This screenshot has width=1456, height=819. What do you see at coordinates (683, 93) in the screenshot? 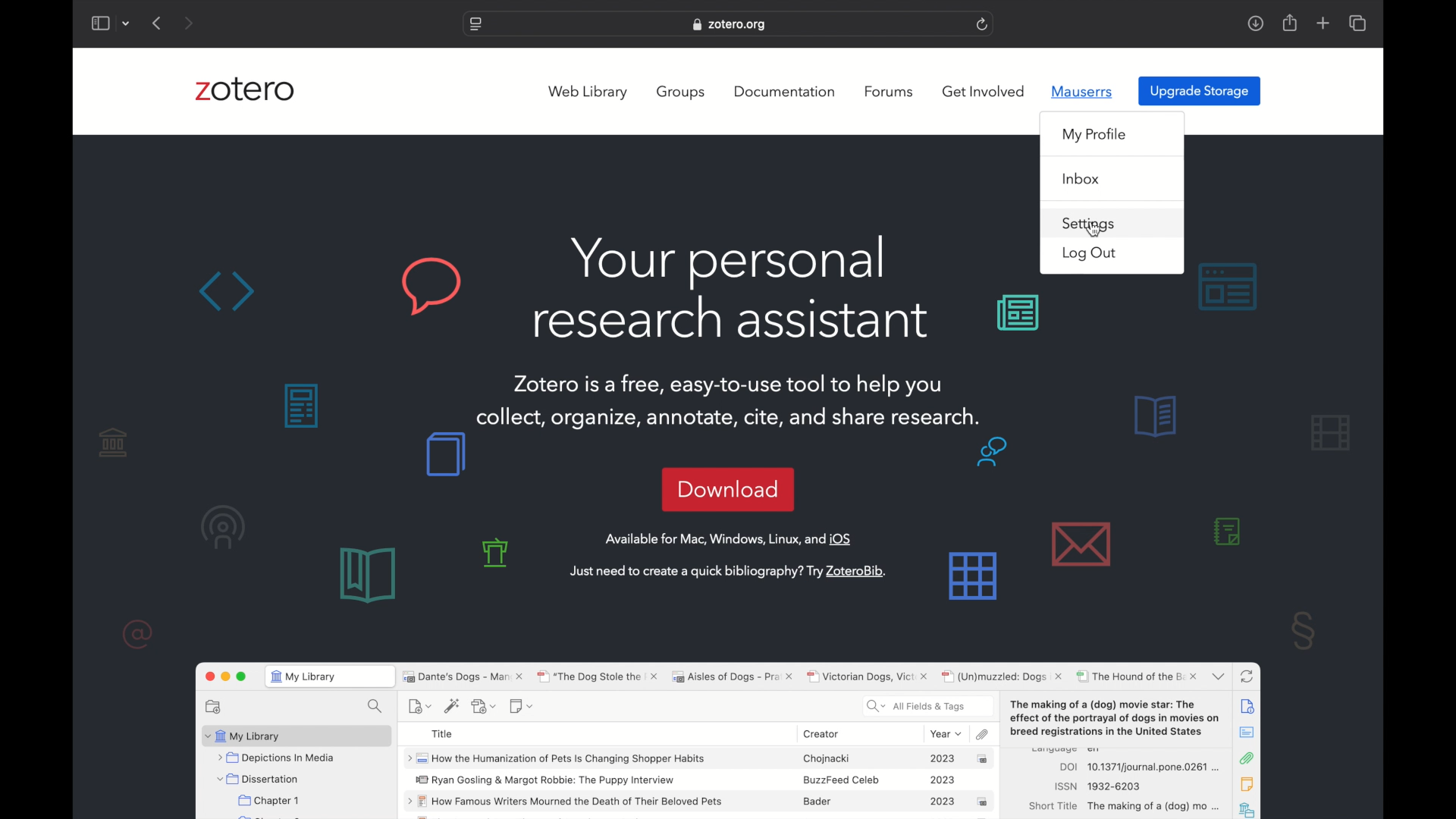
I see `groups` at bounding box center [683, 93].